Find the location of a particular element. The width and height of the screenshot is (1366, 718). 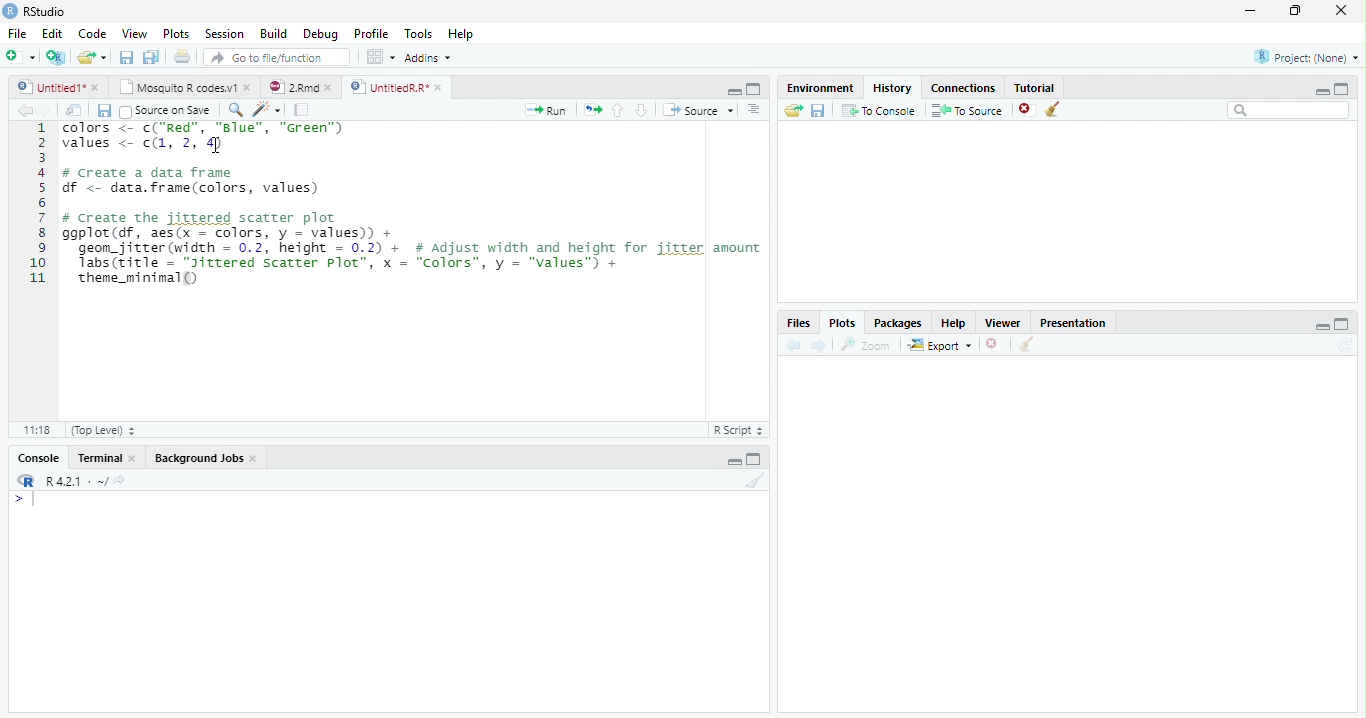

Presentation is located at coordinates (1072, 322).